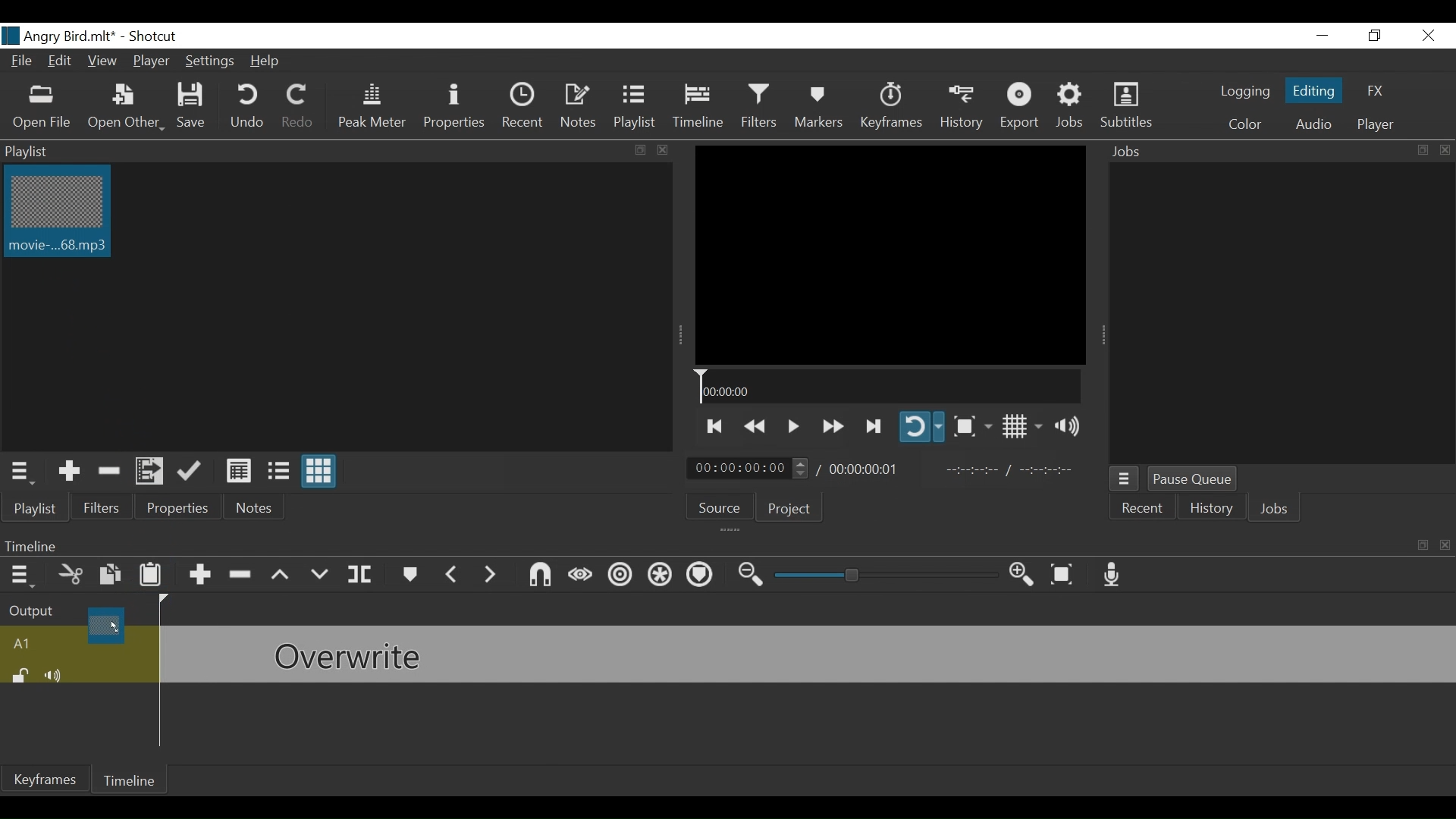  What do you see at coordinates (154, 37) in the screenshot?
I see `Shotcut` at bounding box center [154, 37].